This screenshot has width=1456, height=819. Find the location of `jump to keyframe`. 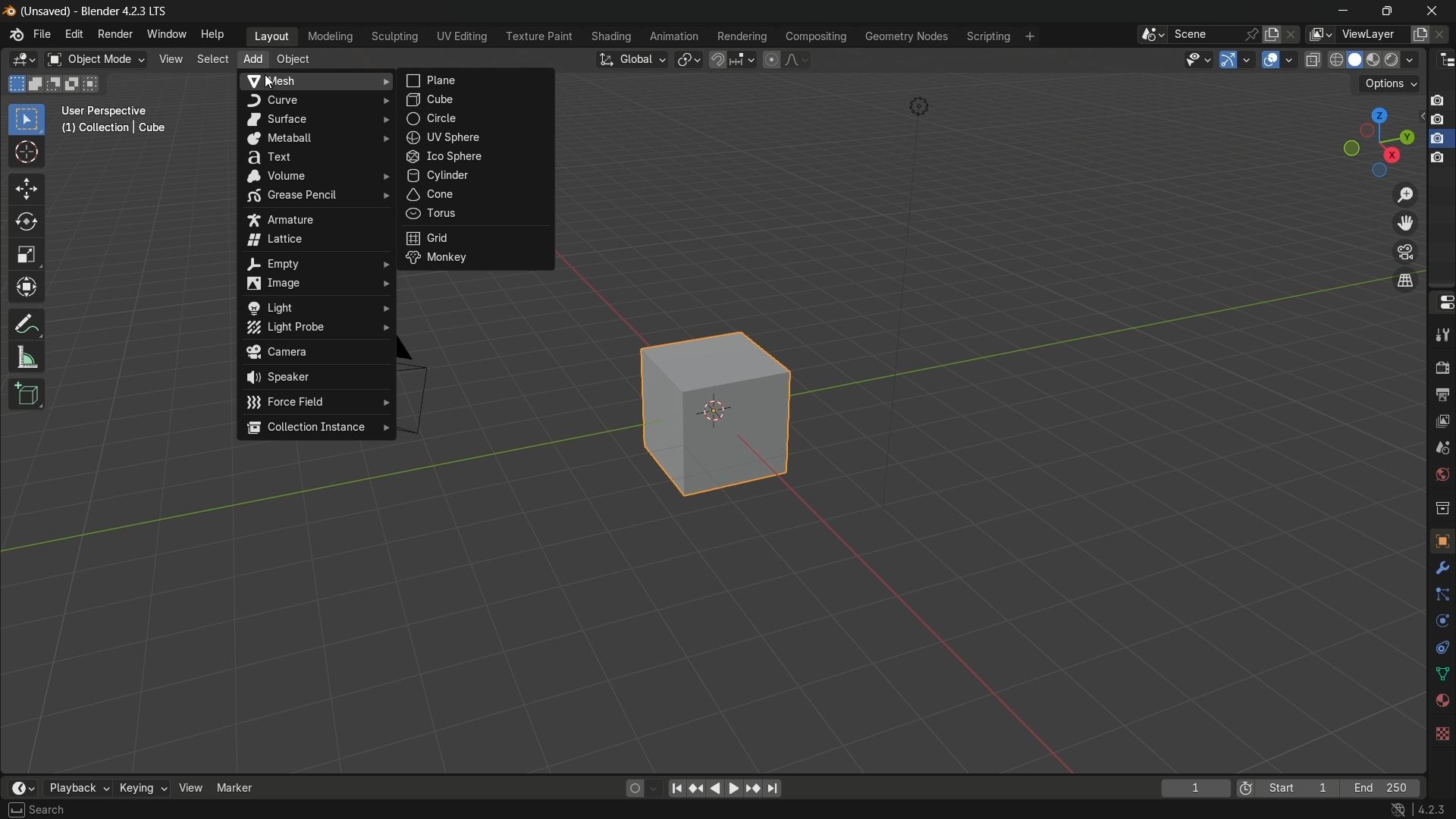

jump to keyframe is located at coordinates (755, 789).